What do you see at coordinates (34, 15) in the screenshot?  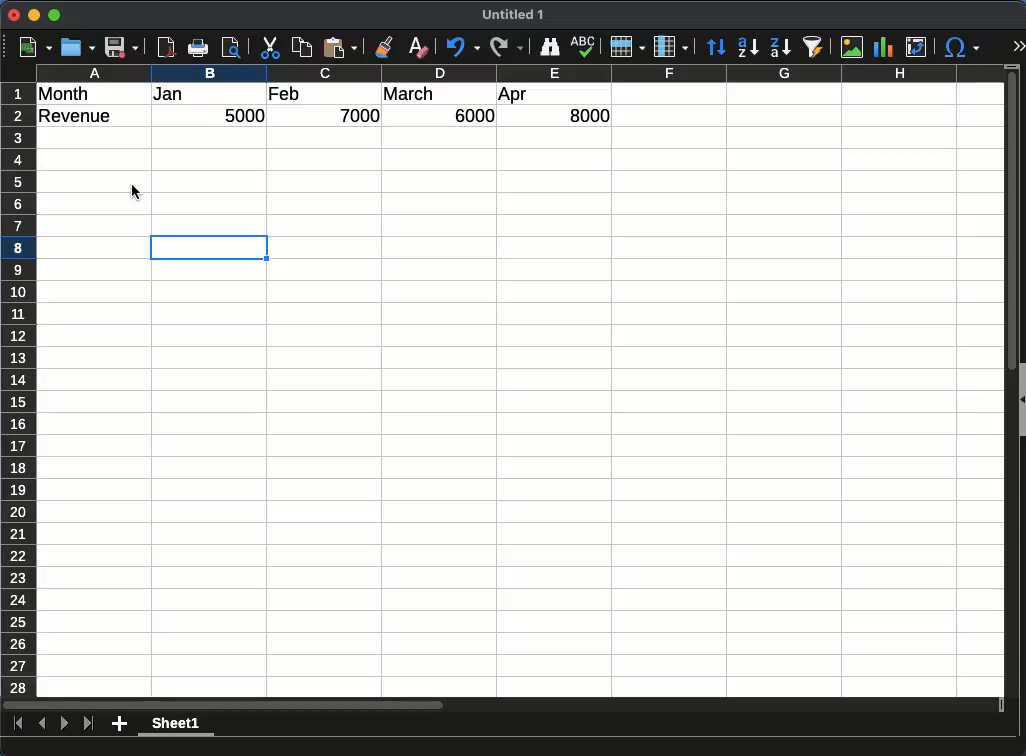 I see `minimize` at bounding box center [34, 15].